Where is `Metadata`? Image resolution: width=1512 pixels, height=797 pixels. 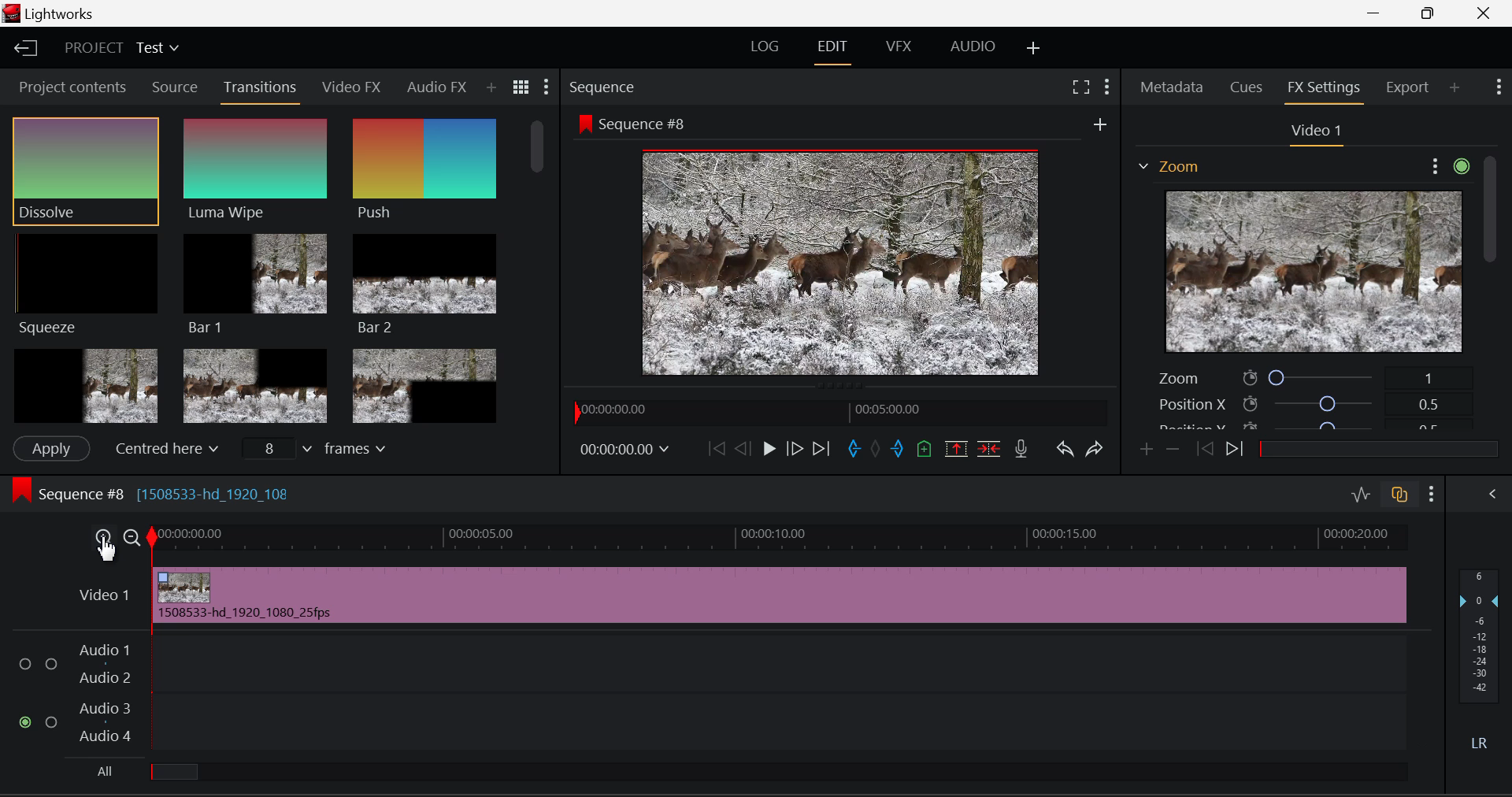 Metadata is located at coordinates (1170, 87).